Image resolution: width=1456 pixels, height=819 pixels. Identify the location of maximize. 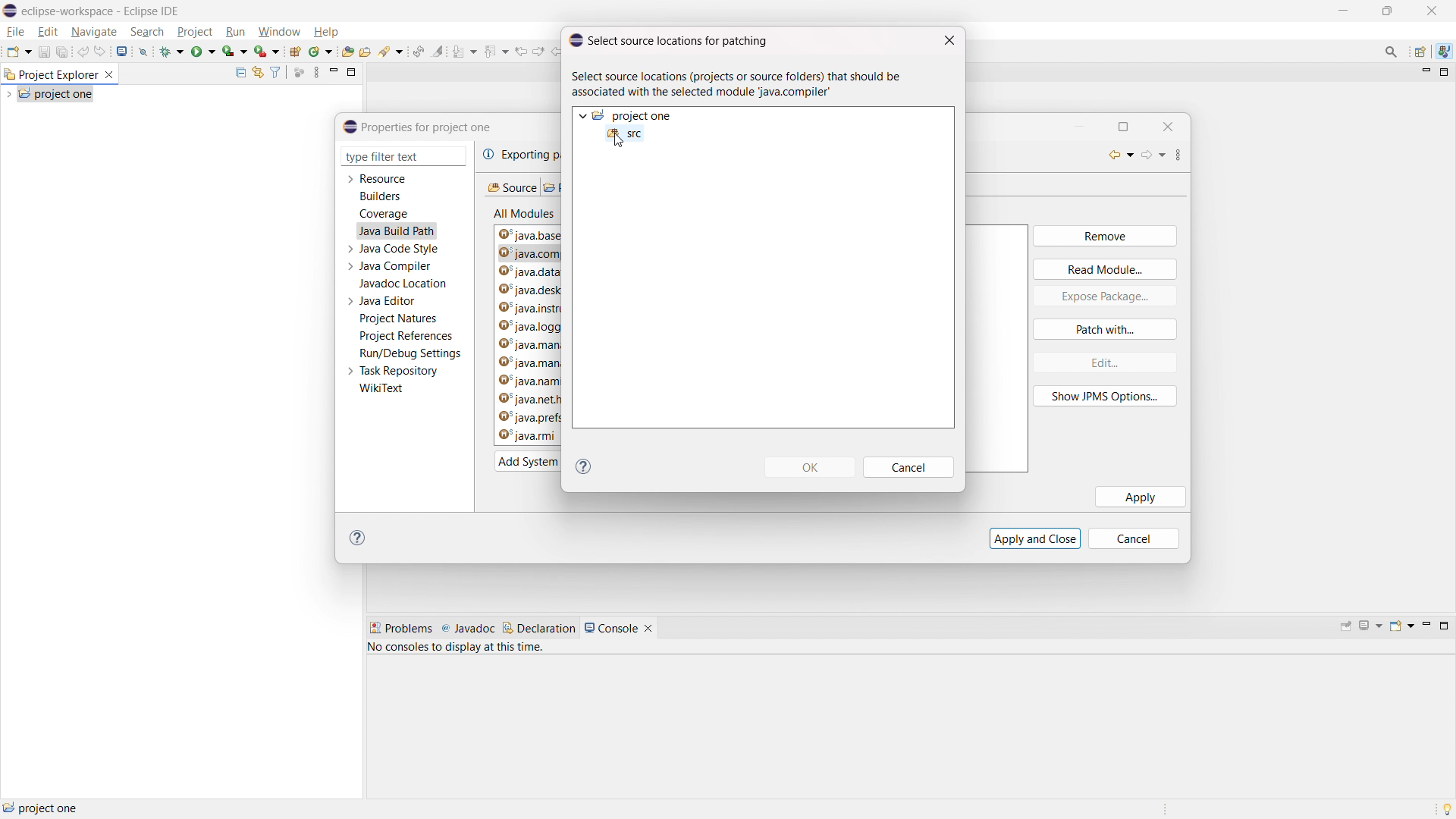
(1130, 126).